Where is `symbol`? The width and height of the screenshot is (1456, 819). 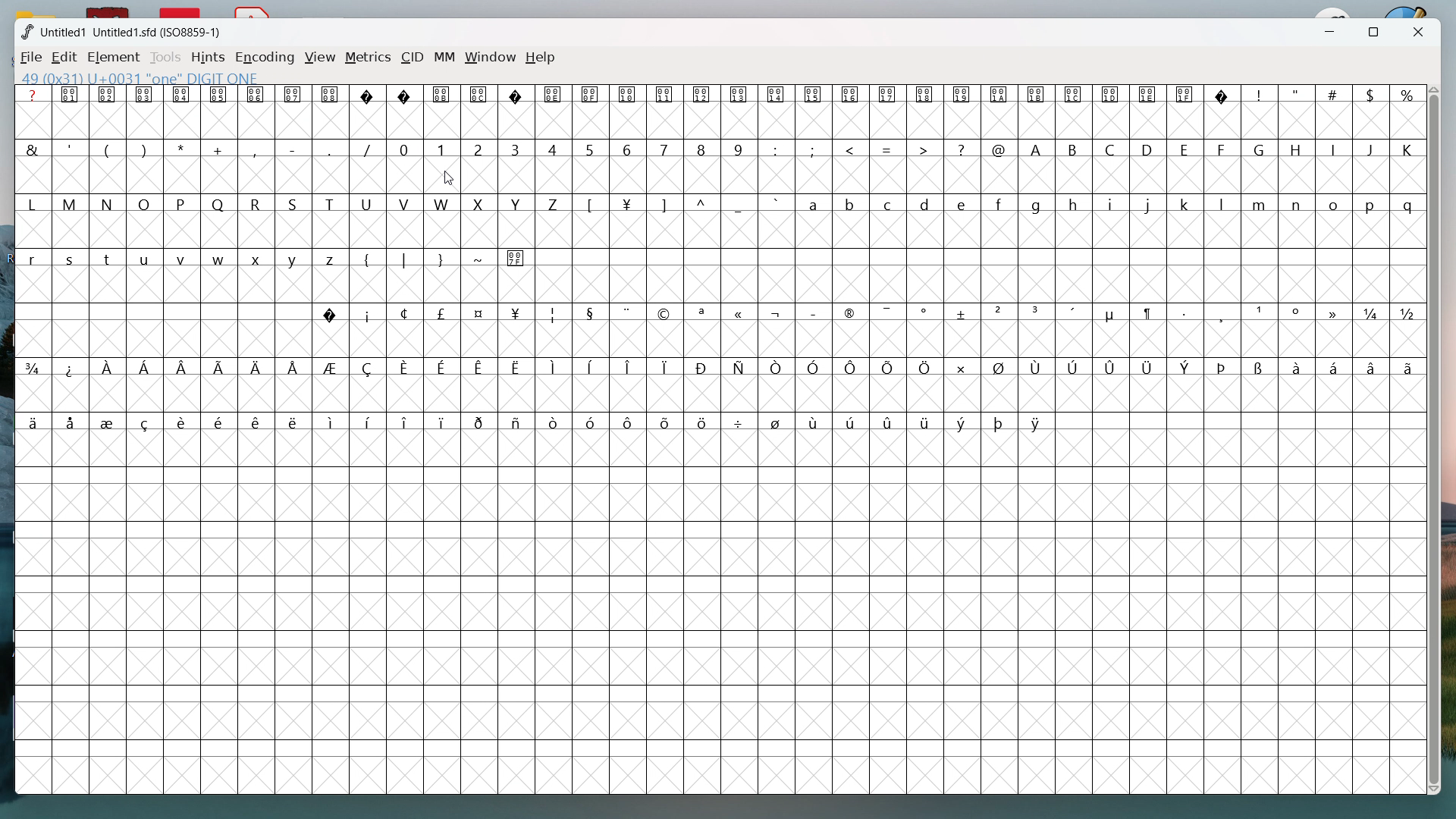
symbol is located at coordinates (962, 94).